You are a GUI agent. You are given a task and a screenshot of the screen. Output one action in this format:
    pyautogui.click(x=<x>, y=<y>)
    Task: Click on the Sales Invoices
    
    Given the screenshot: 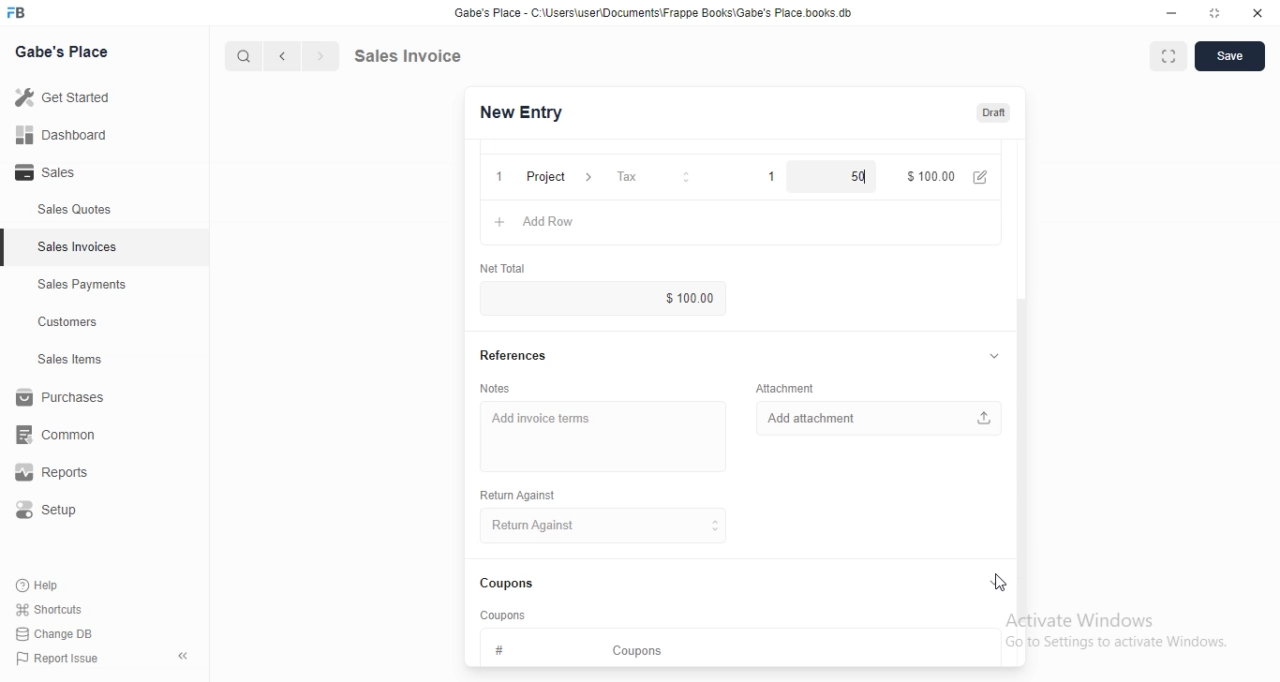 What is the action you would take?
    pyautogui.click(x=79, y=247)
    